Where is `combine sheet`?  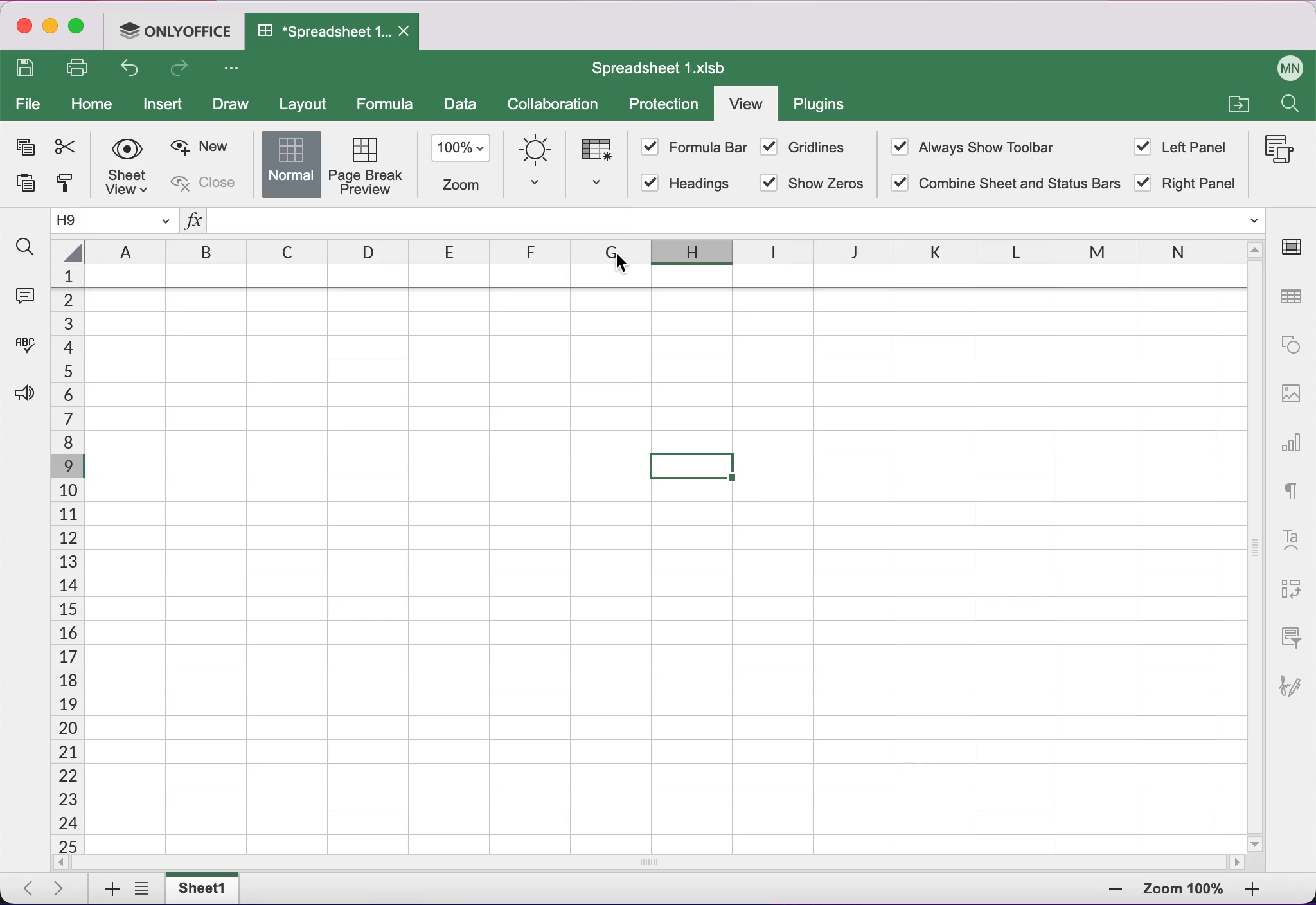
combine sheet is located at coordinates (1010, 185).